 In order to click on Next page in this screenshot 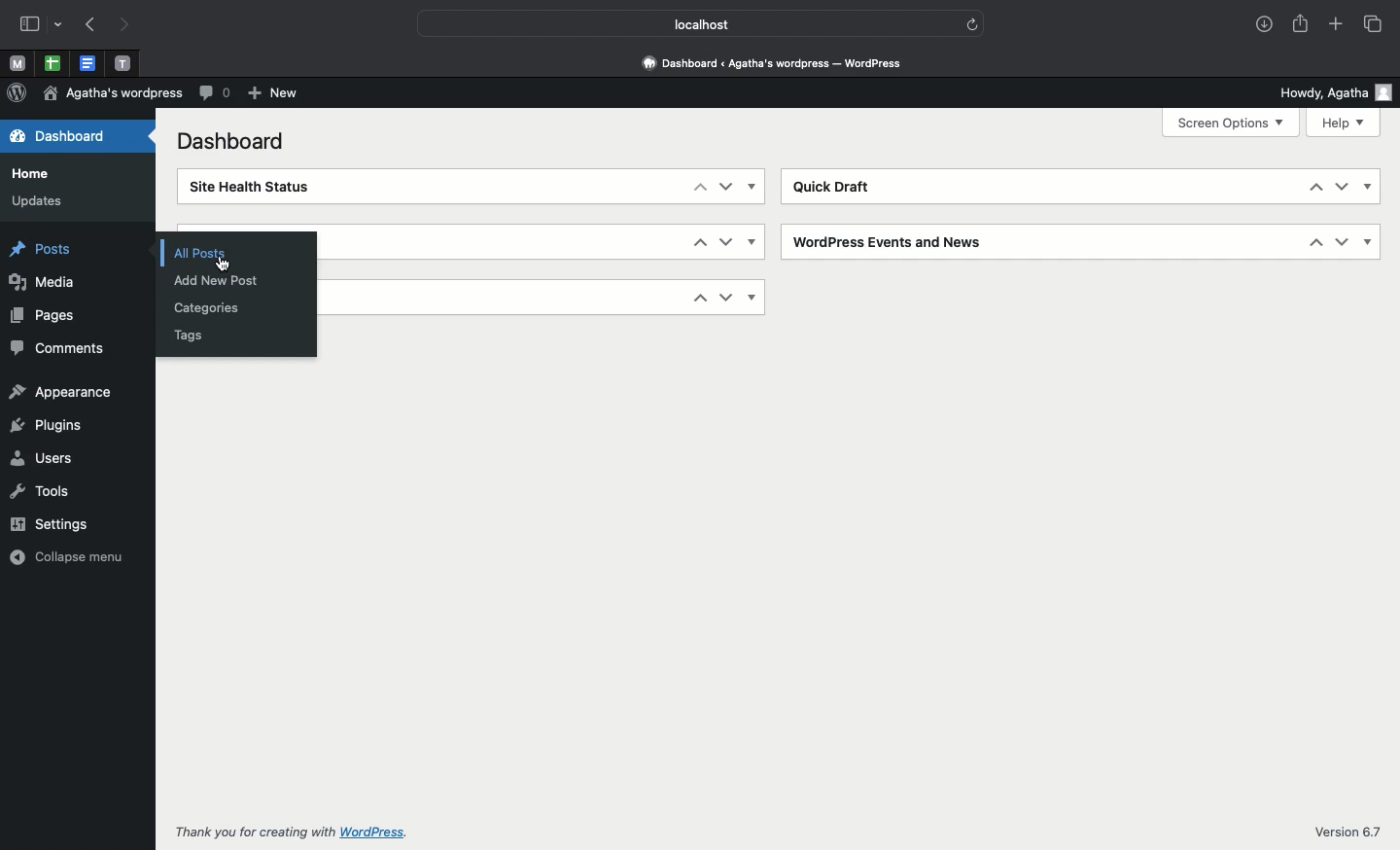, I will do `click(122, 24)`.